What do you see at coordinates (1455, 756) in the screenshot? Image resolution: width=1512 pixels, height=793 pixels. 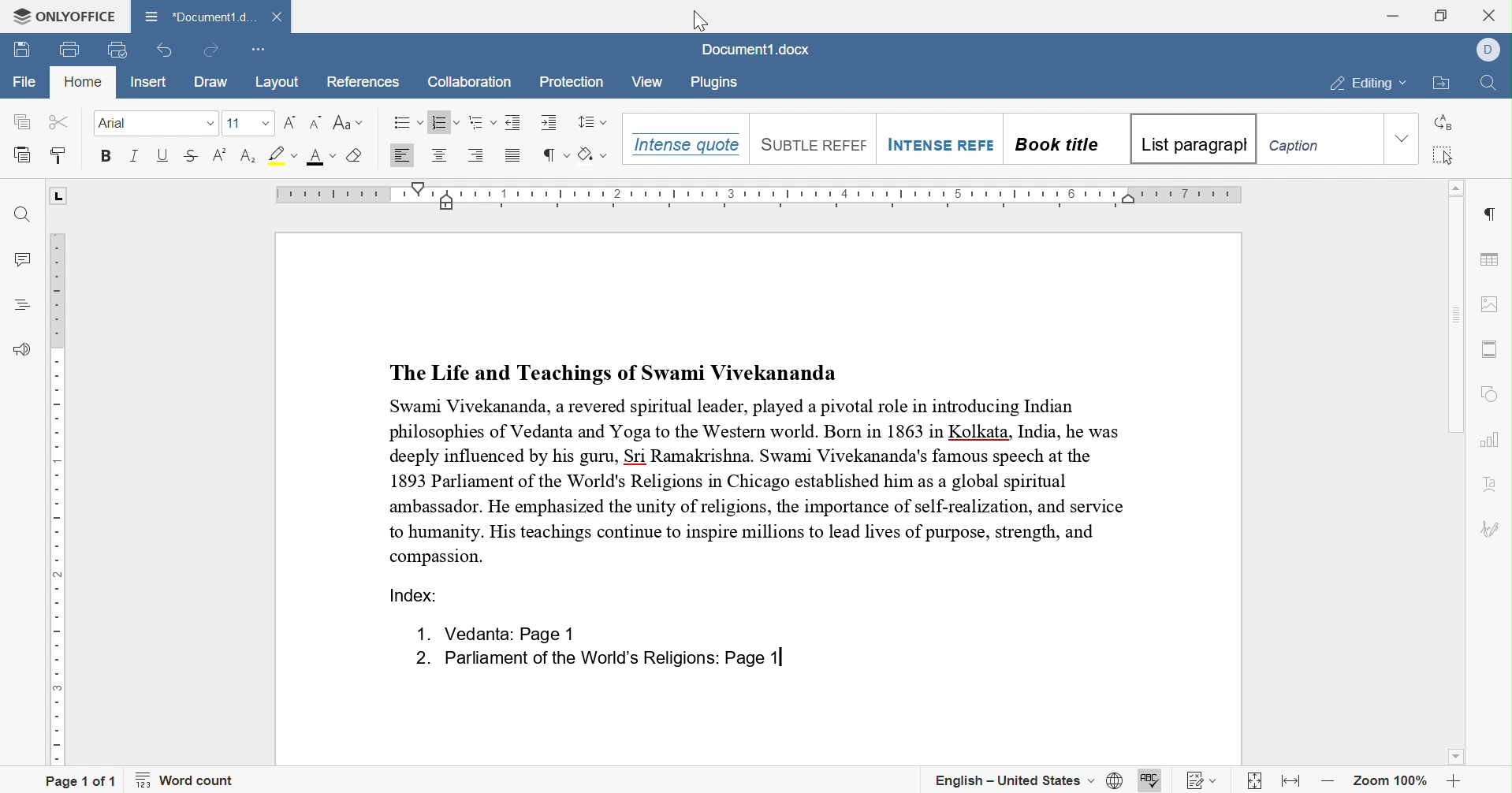 I see `scroll down` at bounding box center [1455, 756].